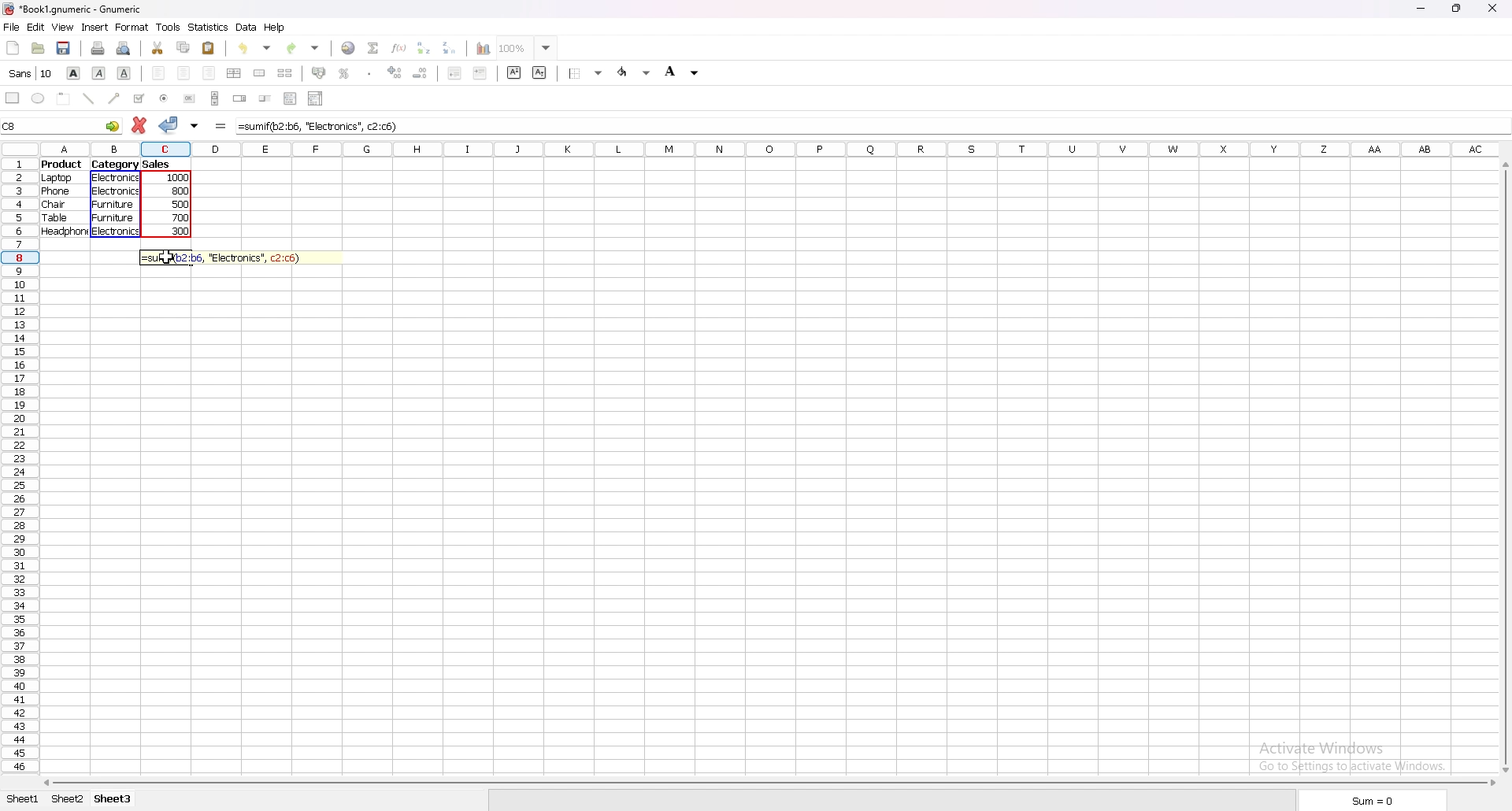 Image resolution: width=1512 pixels, height=811 pixels. I want to click on sort descending, so click(449, 47).